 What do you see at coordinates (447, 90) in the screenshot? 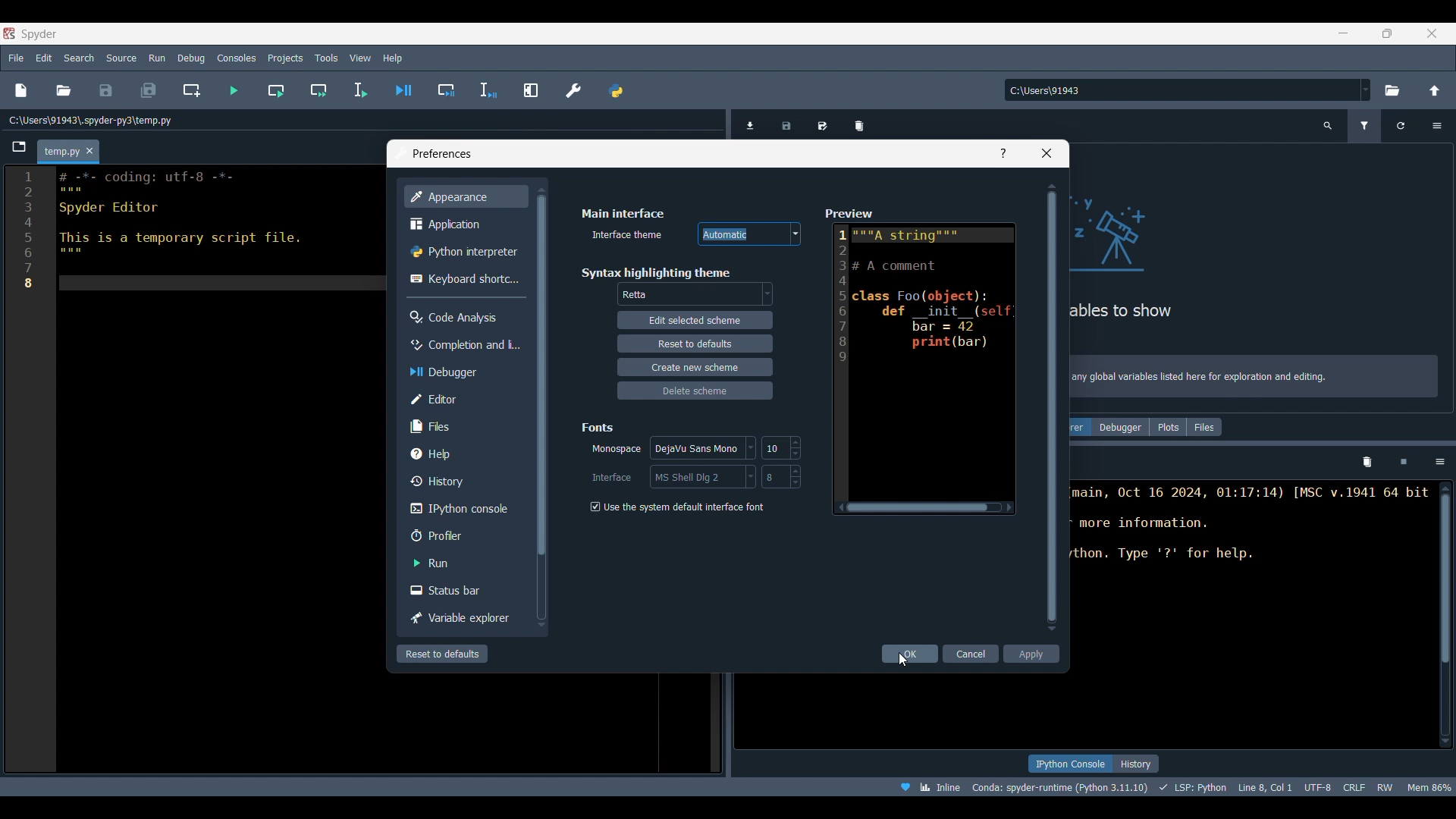
I see `Debug cell` at bounding box center [447, 90].